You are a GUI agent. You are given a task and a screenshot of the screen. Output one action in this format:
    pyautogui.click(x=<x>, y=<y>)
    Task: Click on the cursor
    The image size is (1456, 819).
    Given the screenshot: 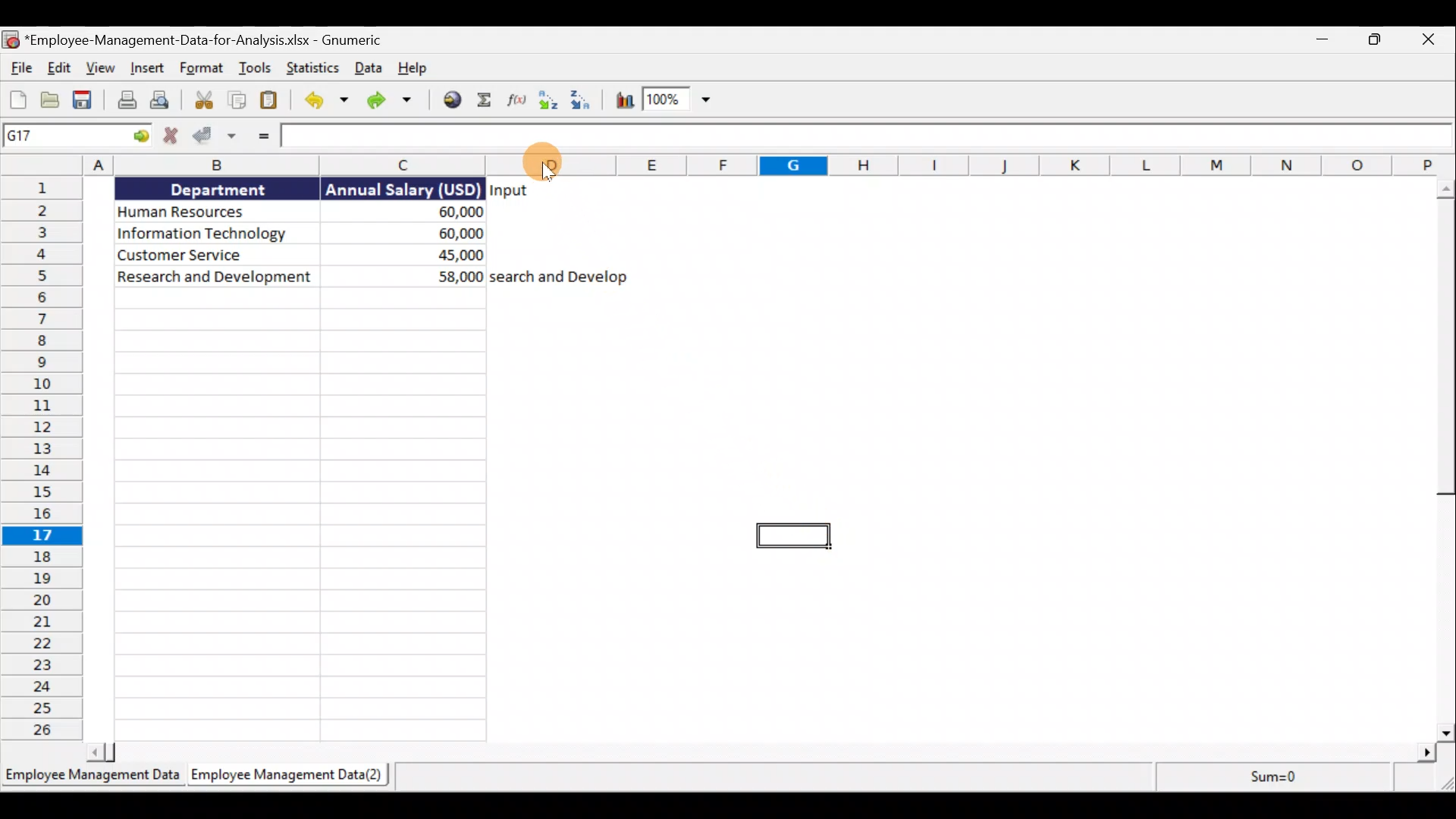 What is the action you would take?
    pyautogui.click(x=547, y=172)
    